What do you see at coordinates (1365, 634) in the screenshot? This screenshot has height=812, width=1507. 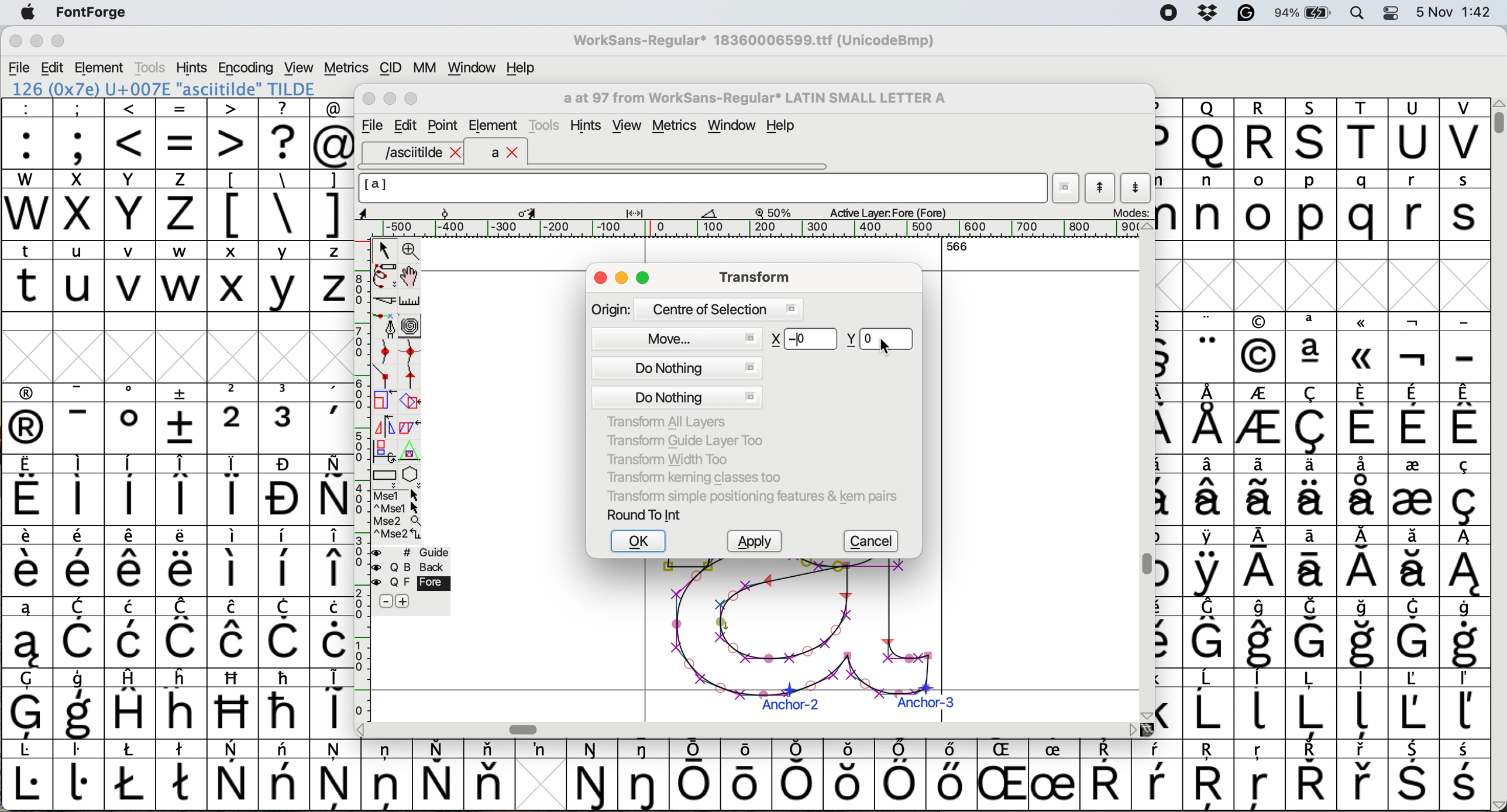 I see `symbol` at bounding box center [1365, 634].